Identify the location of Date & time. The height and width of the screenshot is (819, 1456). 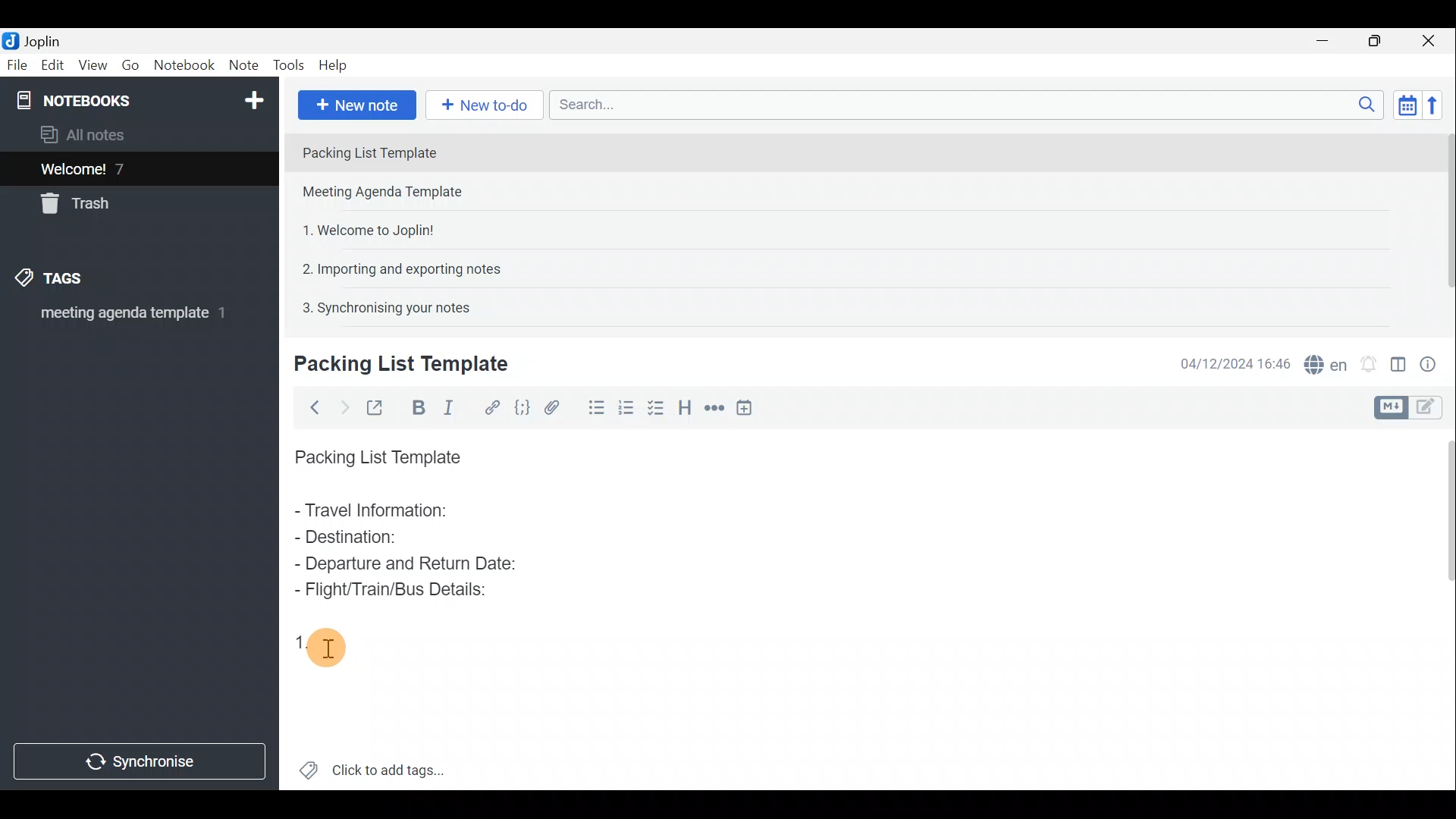
(1235, 362).